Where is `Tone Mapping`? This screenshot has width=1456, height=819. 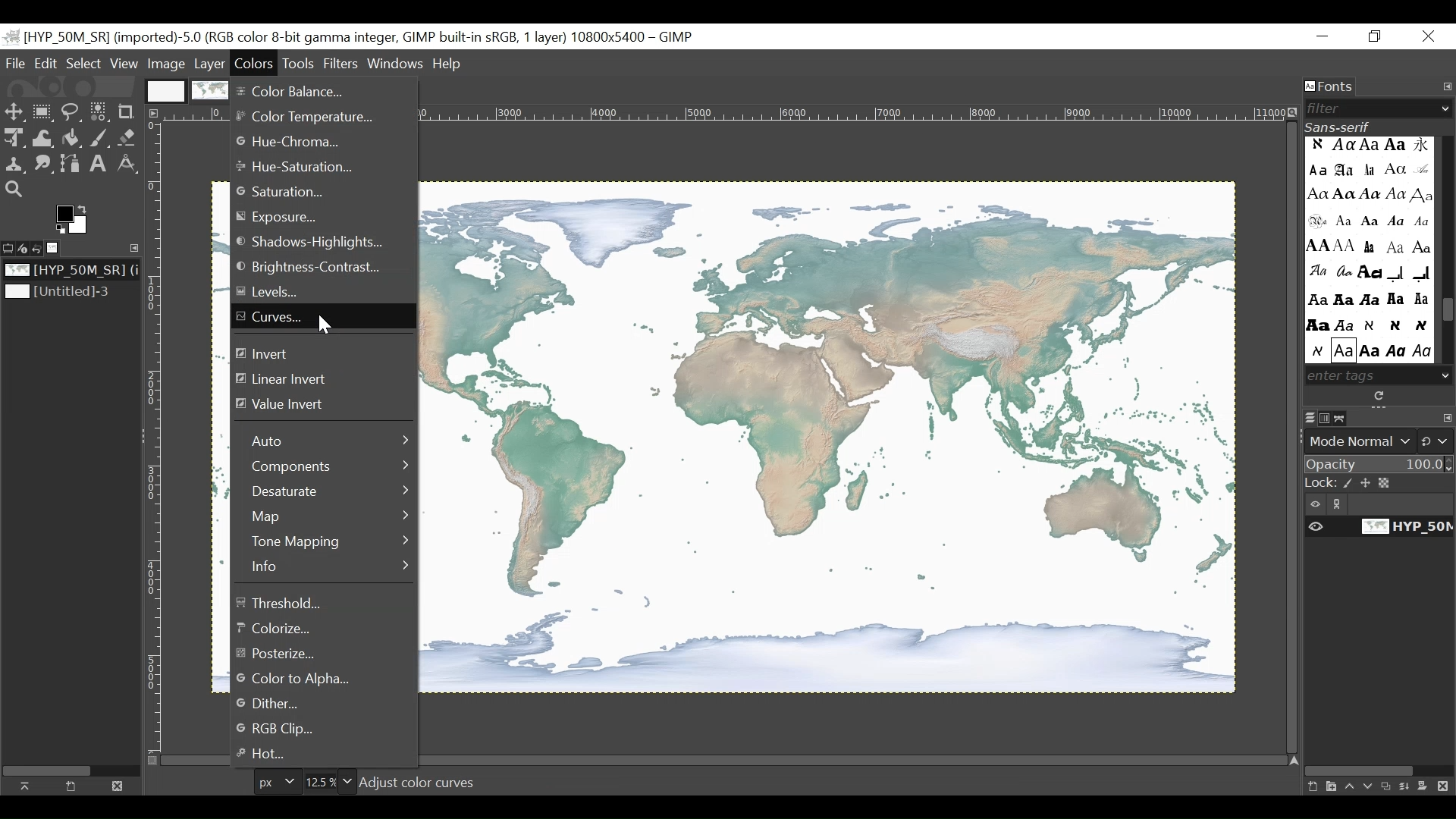 Tone Mapping is located at coordinates (324, 541).